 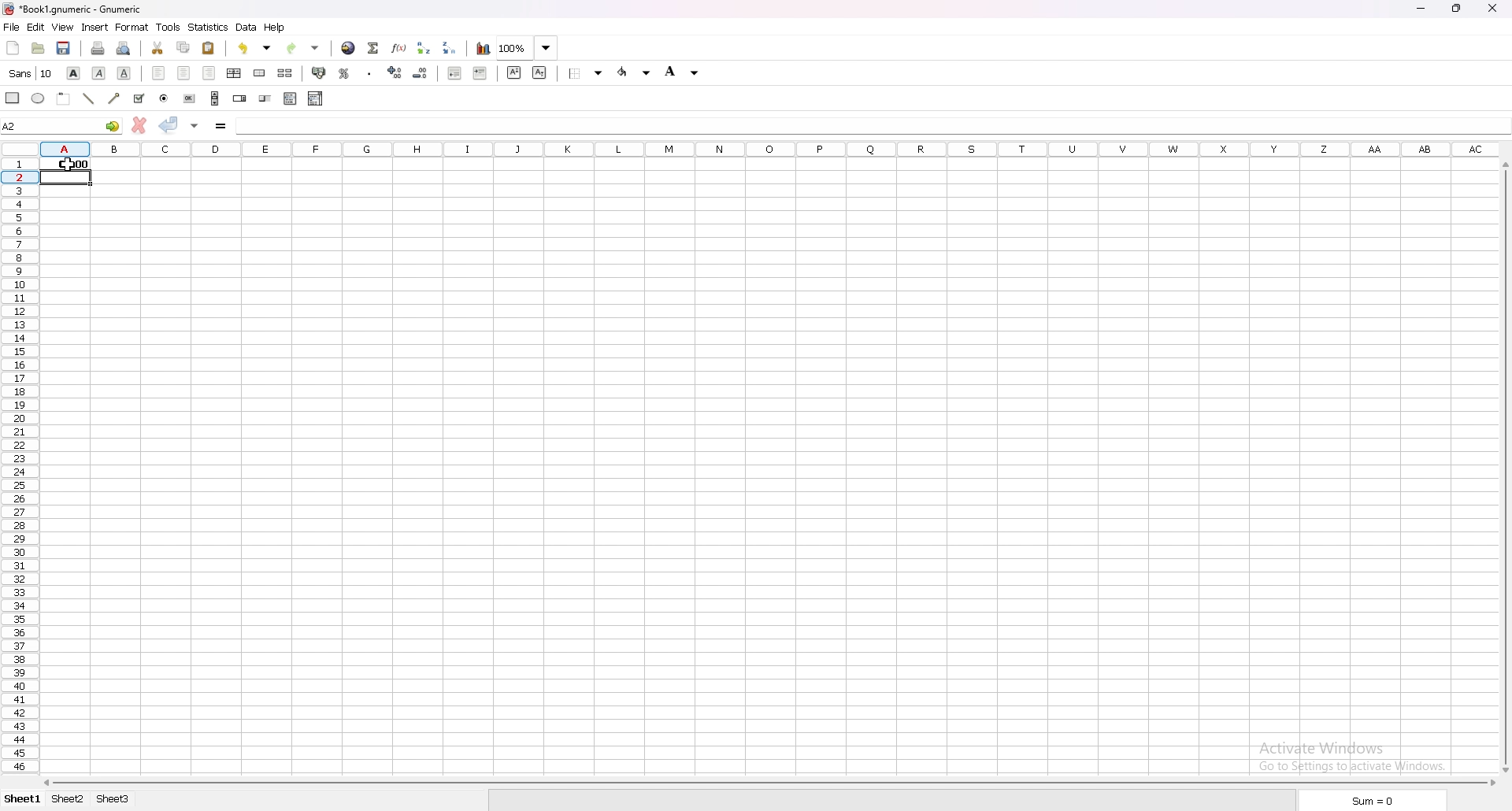 What do you see at coordinates (67, 163) in the screenshot?
I see `time` at bounding box center [67, 163].